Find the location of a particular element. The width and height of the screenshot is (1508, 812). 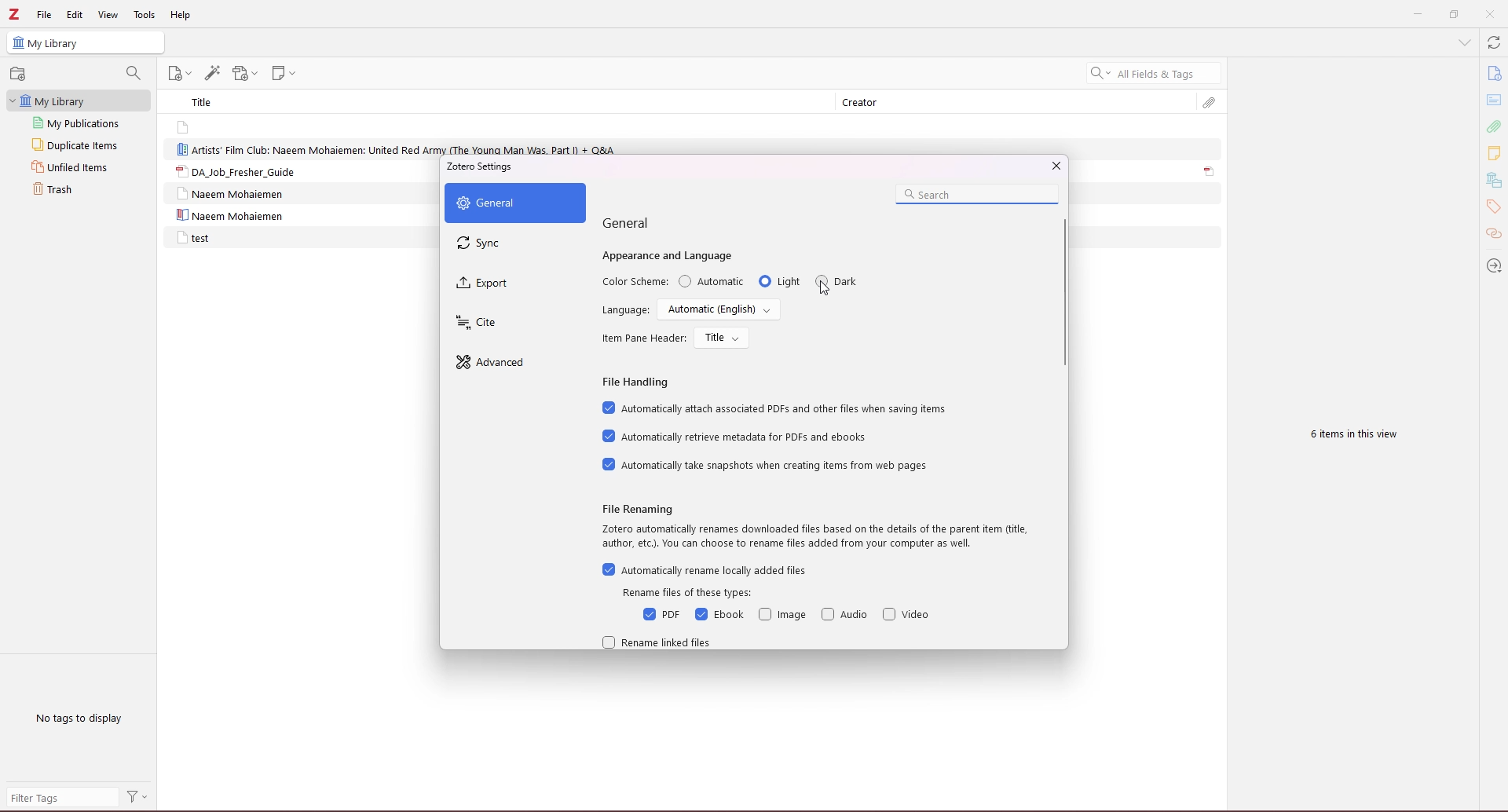

@ Automatically attach associated PDFs and other files when saving items is located at coordinates (775, 408).